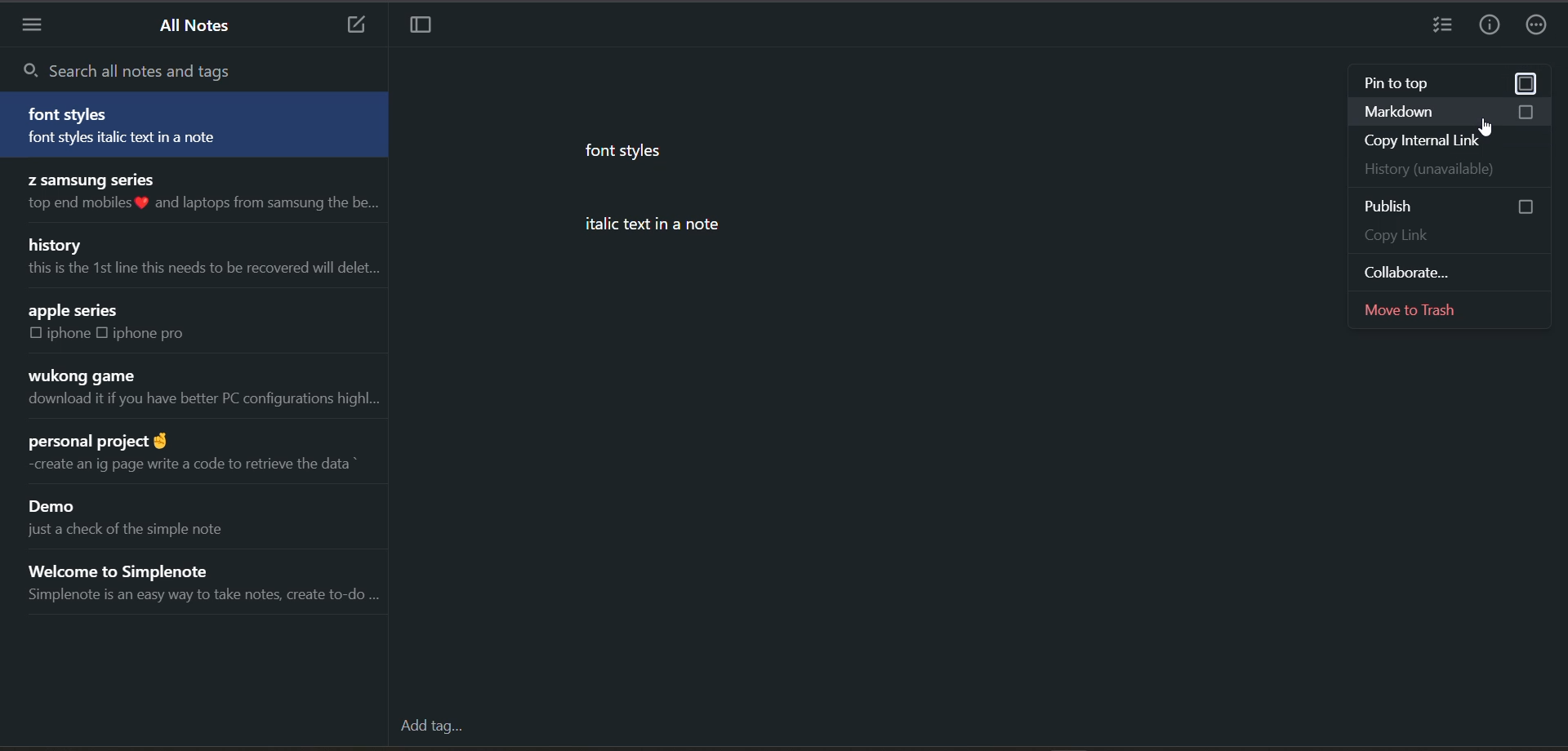 This screenshot has height=751, width=1568. Describe the element at coordinates (37, 26) in the screenshot. I see `menu` at that location.